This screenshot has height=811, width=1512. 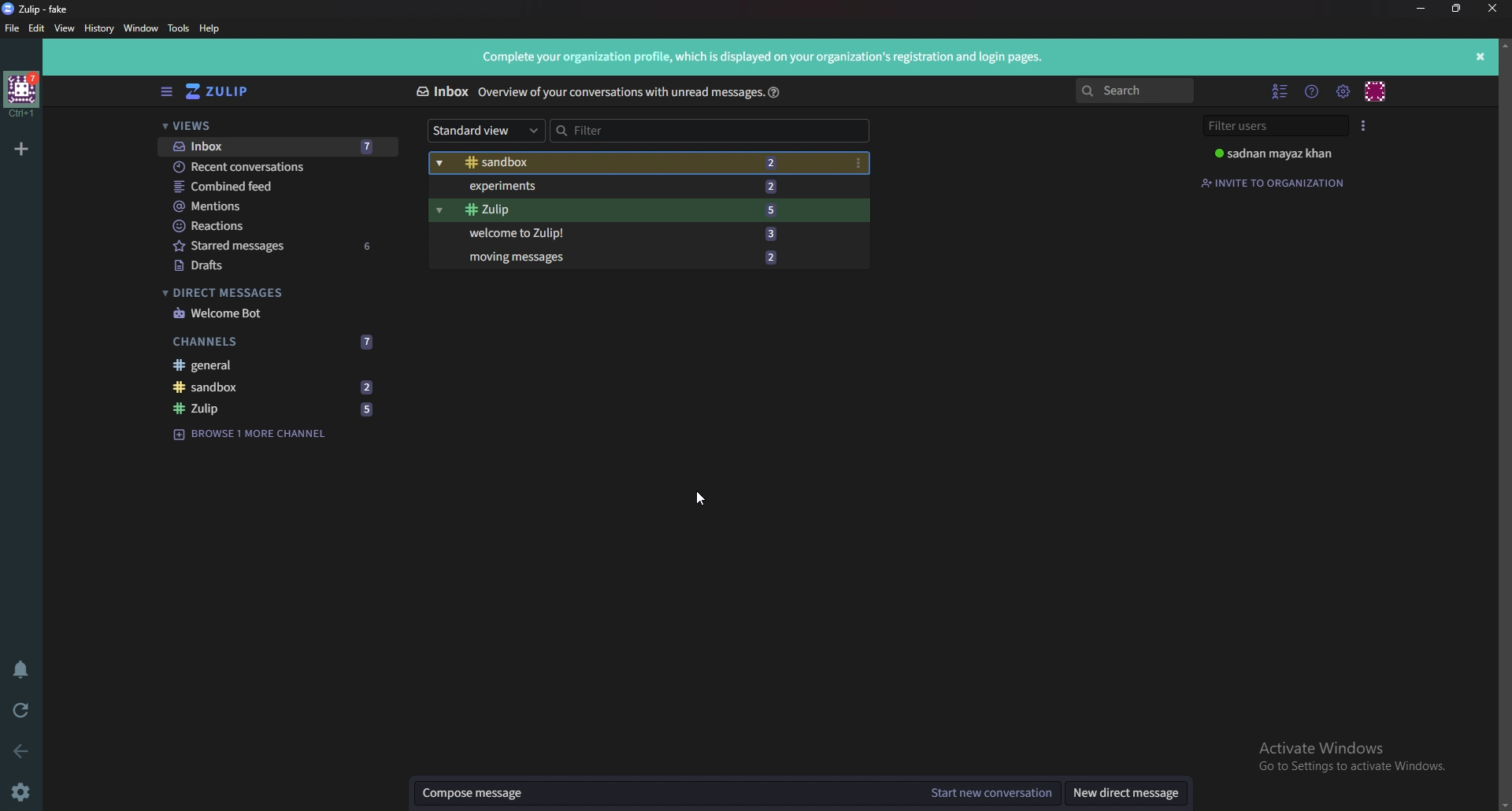 What do you see at coordinates (276, 148) in the screenshot?
I see `Inbox` at bounding box center [276, 148].